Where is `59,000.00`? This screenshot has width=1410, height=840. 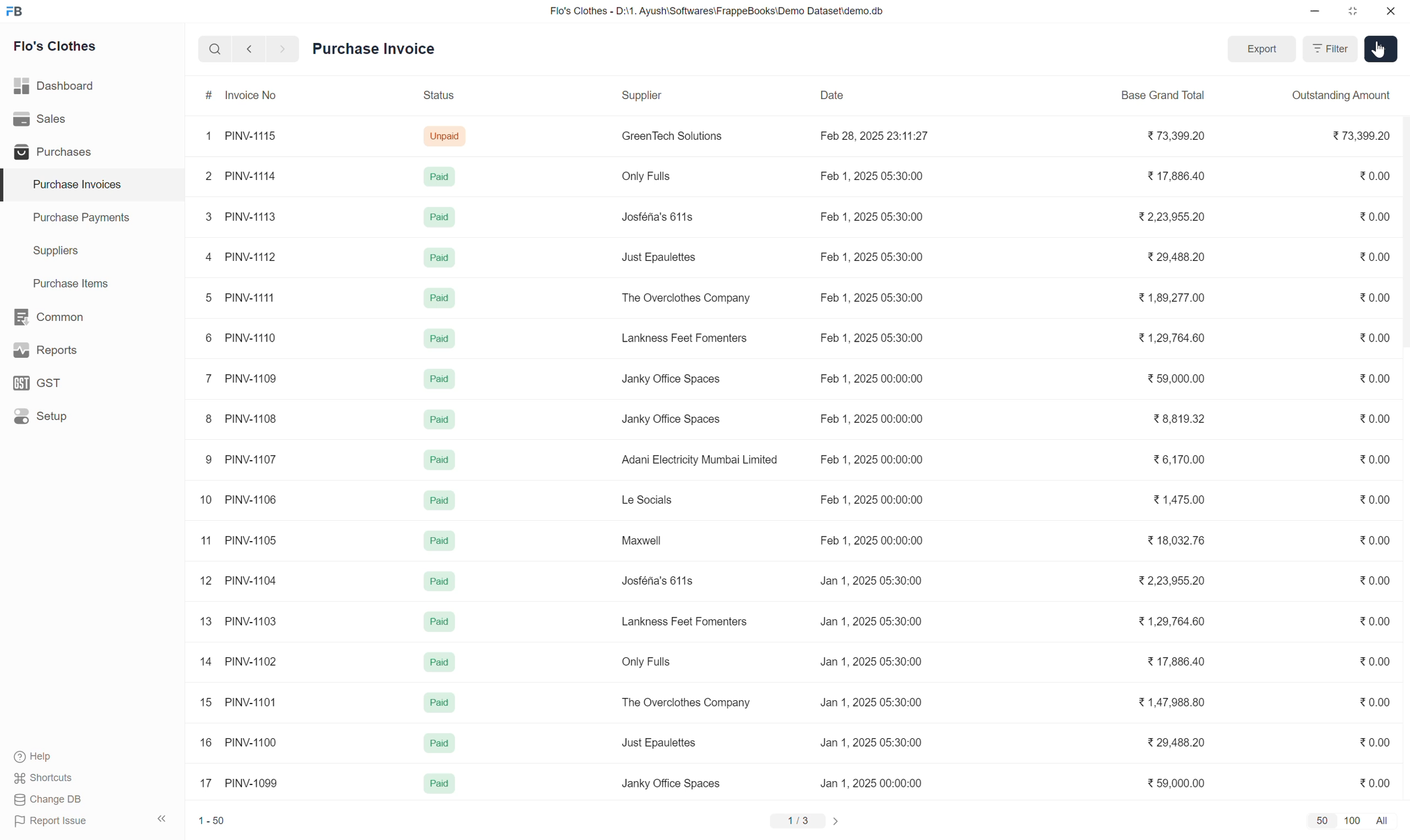 59,000.00 is located at coordinates (1180, 781).